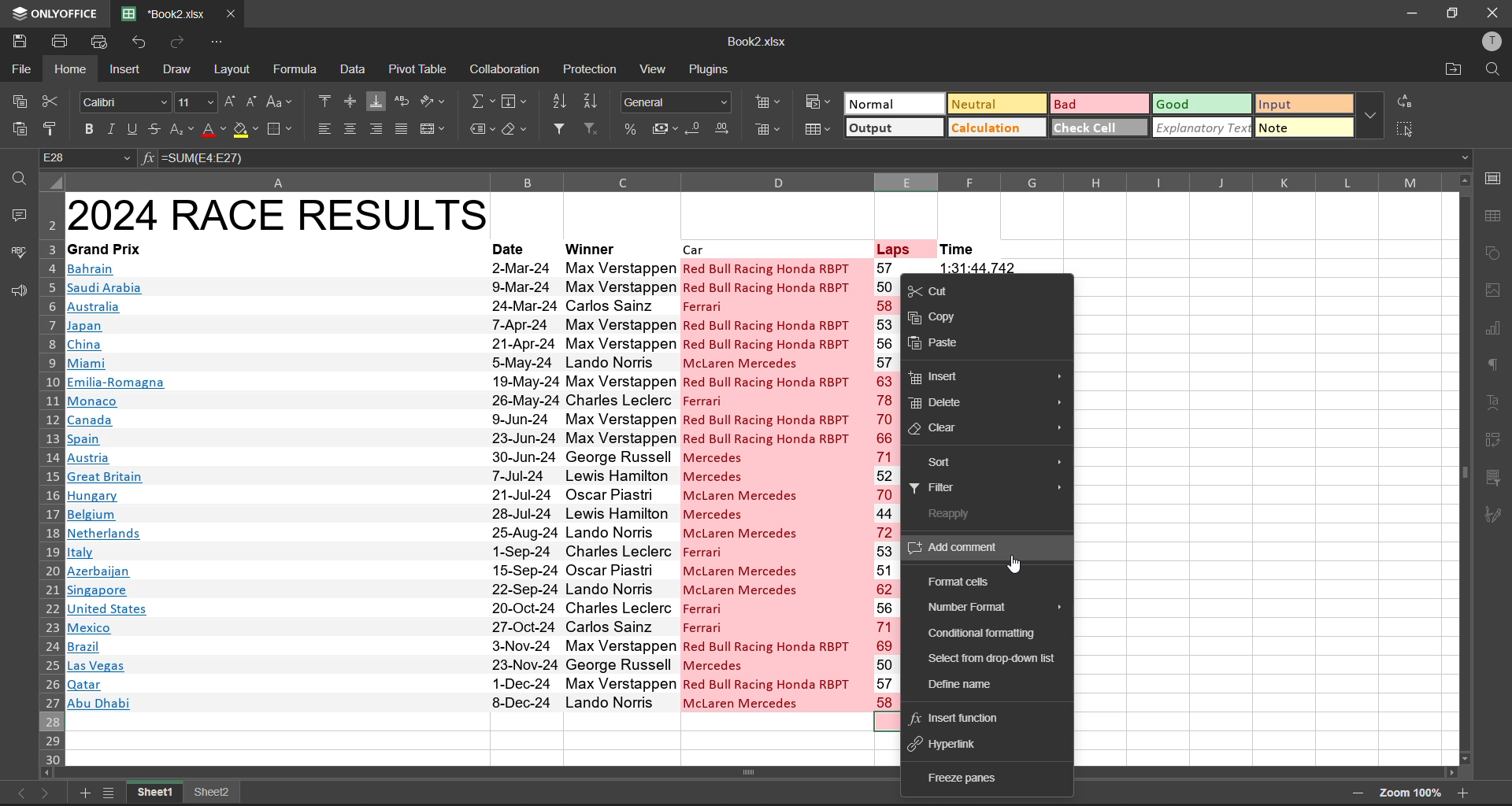 This screenshot has width=1512, height=806. Describe the element at coordinates (19, 125) in the screenshot. I see `paste` at that location.